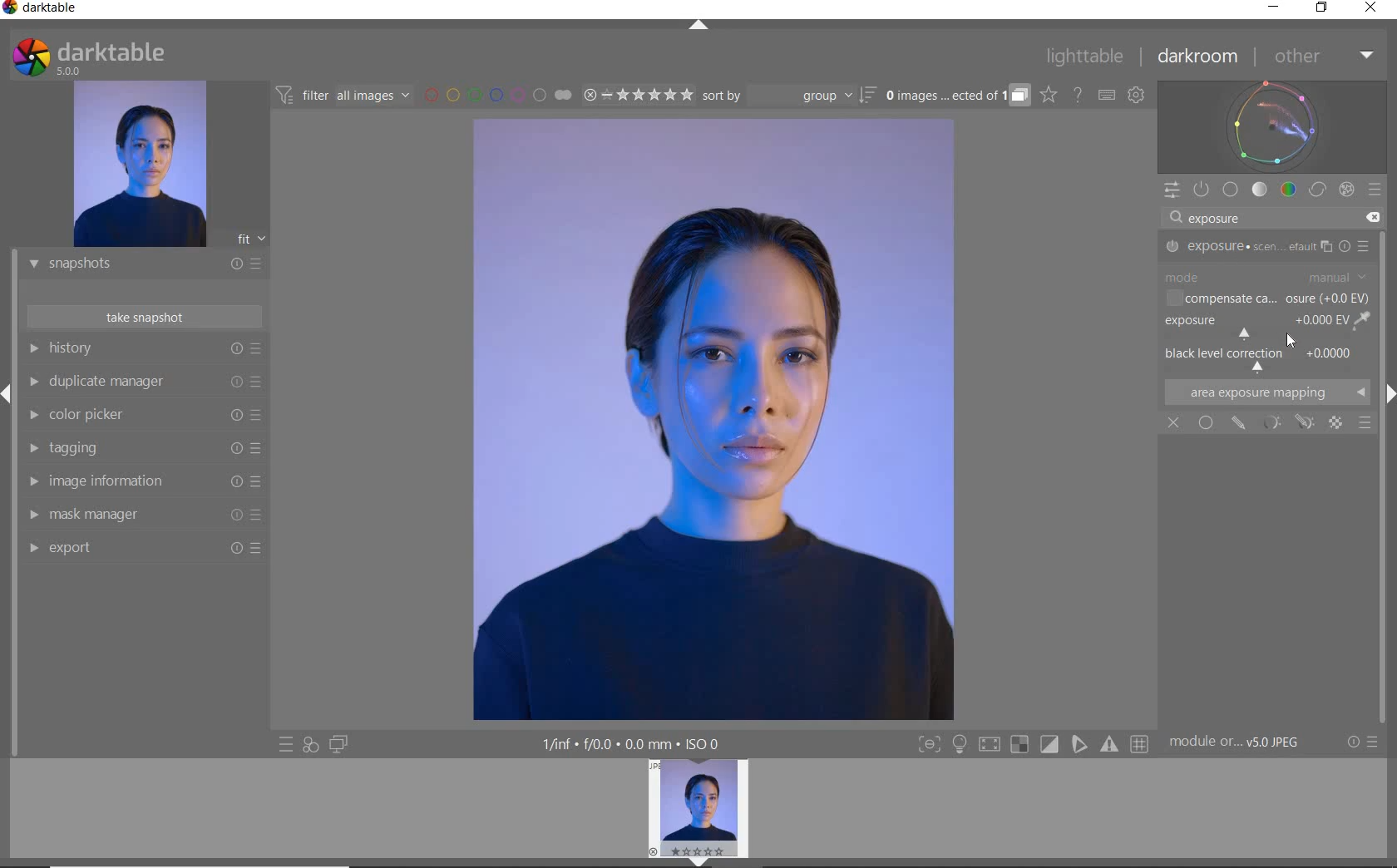 The width and height of the screenshot is (1397, 868). I want to click on TAGGING, so click(141, 449).